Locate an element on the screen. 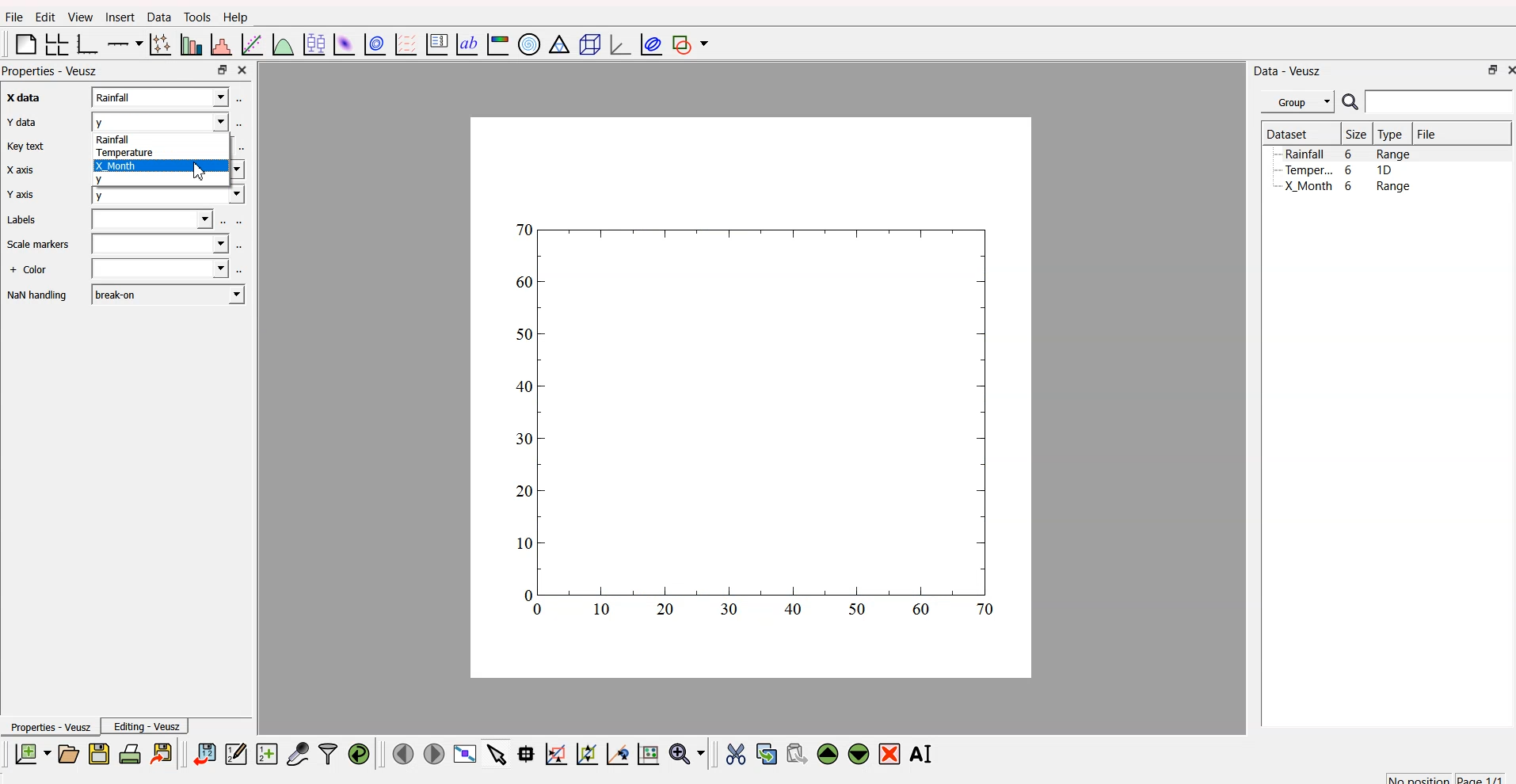 The width and height of the screenshot is (1516, 784). text label is located at coordinates (465, 45).